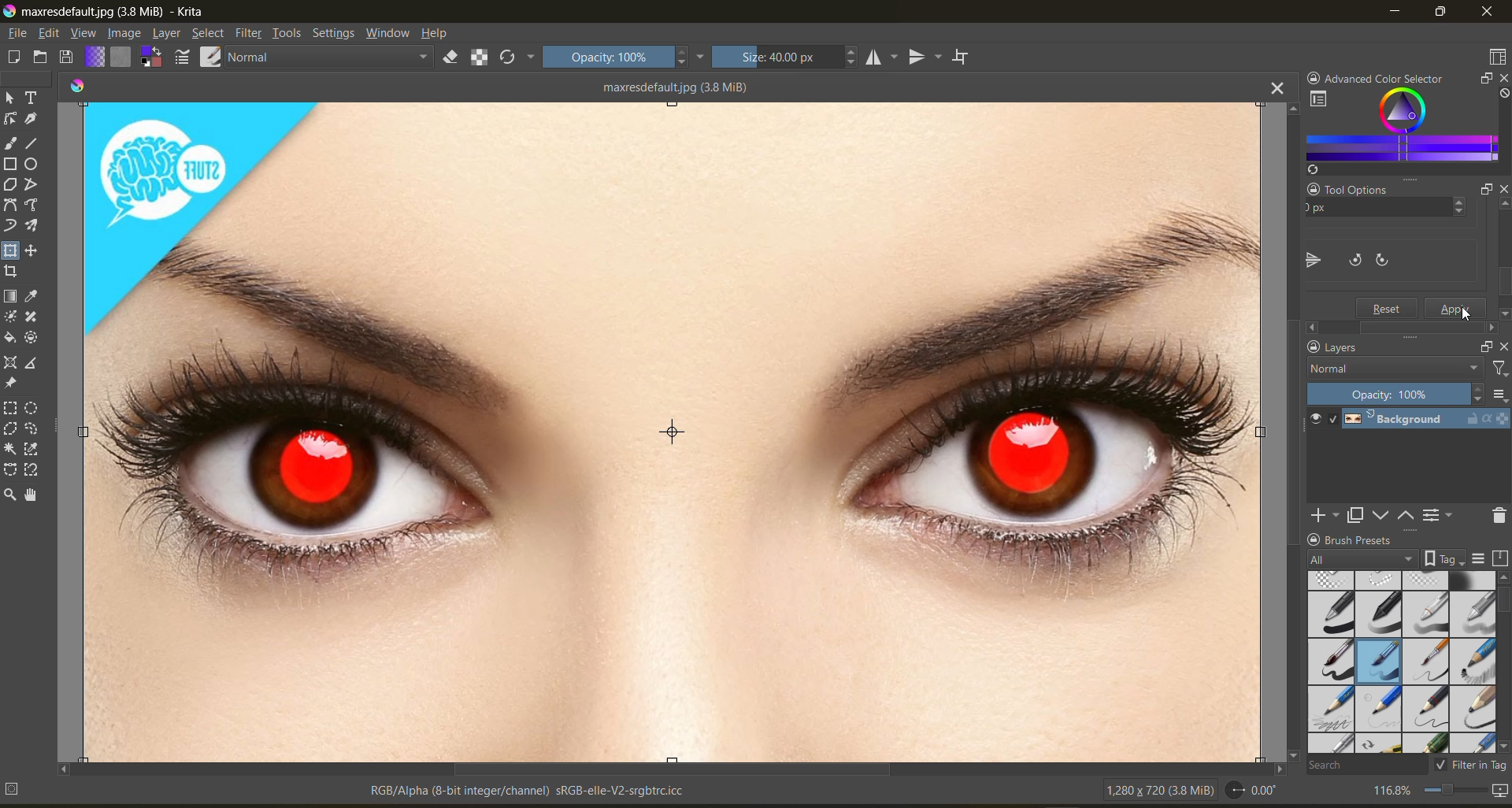 The width and height of the screenshot is (1512, 808). What do you see at coordinates (1506, 263) in the screenshot?
I see `Scroll bar` at bounding box center [1506, 263].